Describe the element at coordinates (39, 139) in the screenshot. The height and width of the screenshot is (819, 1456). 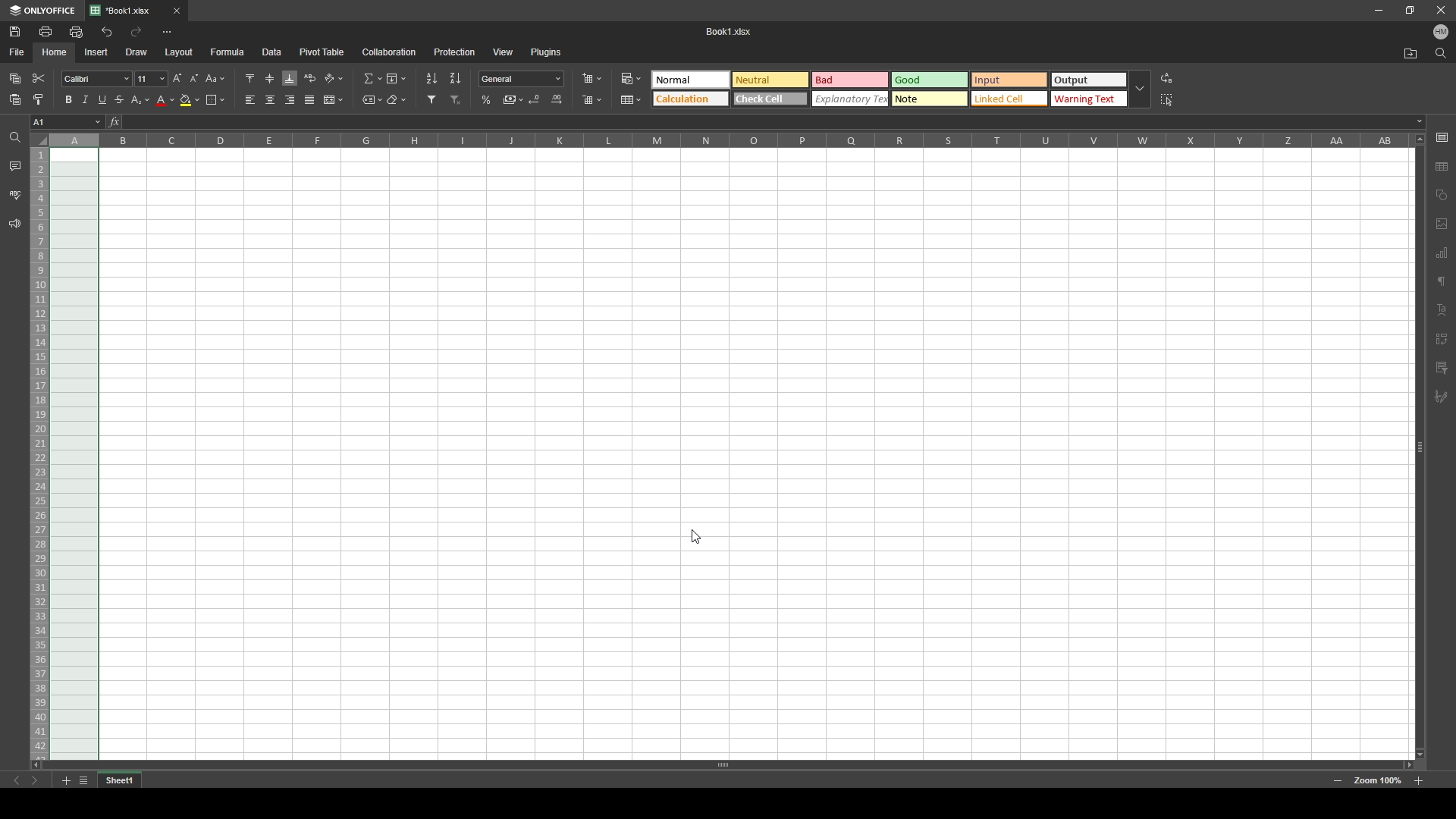
I see `select all cells` at that location.